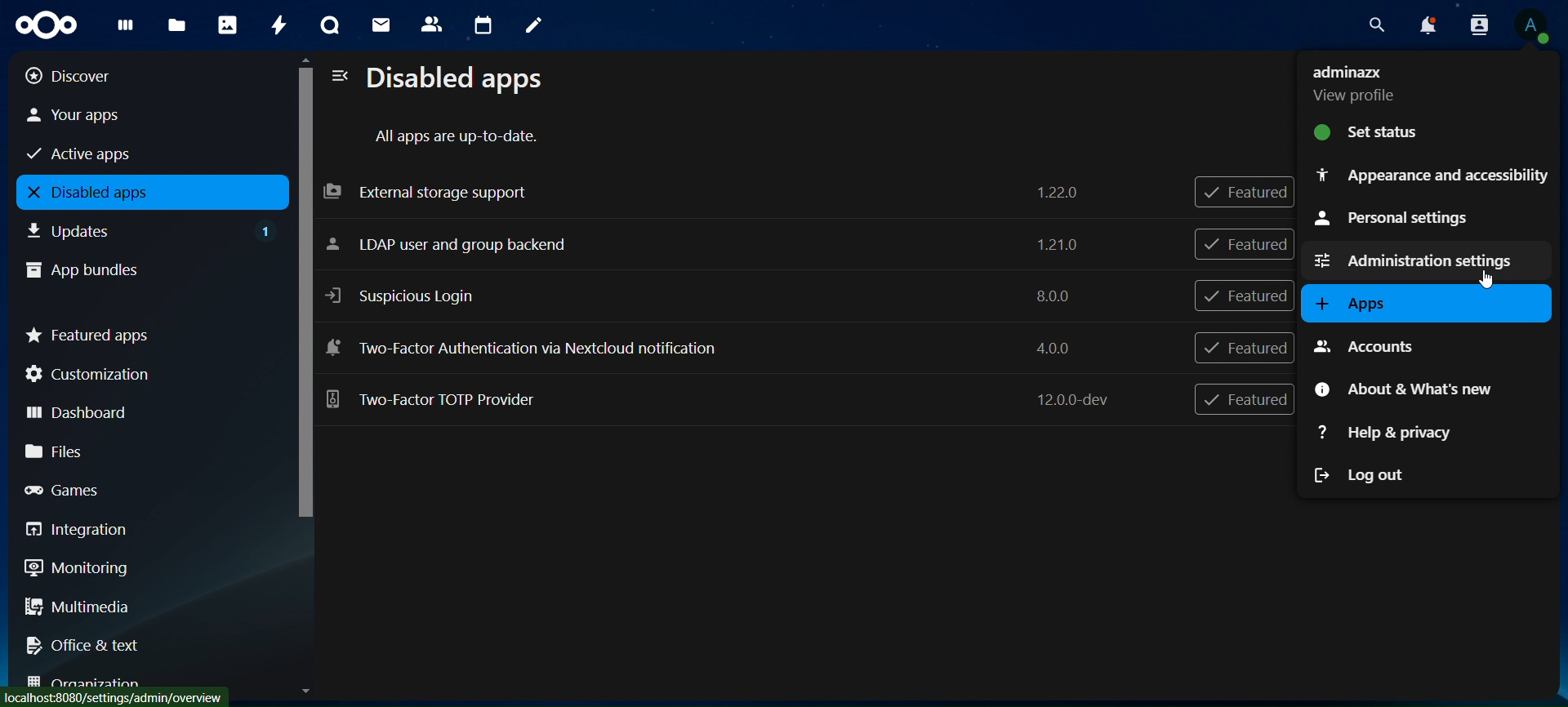 This screenshot has height=707, width=1568. I want to click on close navigation, so click(338, 77).